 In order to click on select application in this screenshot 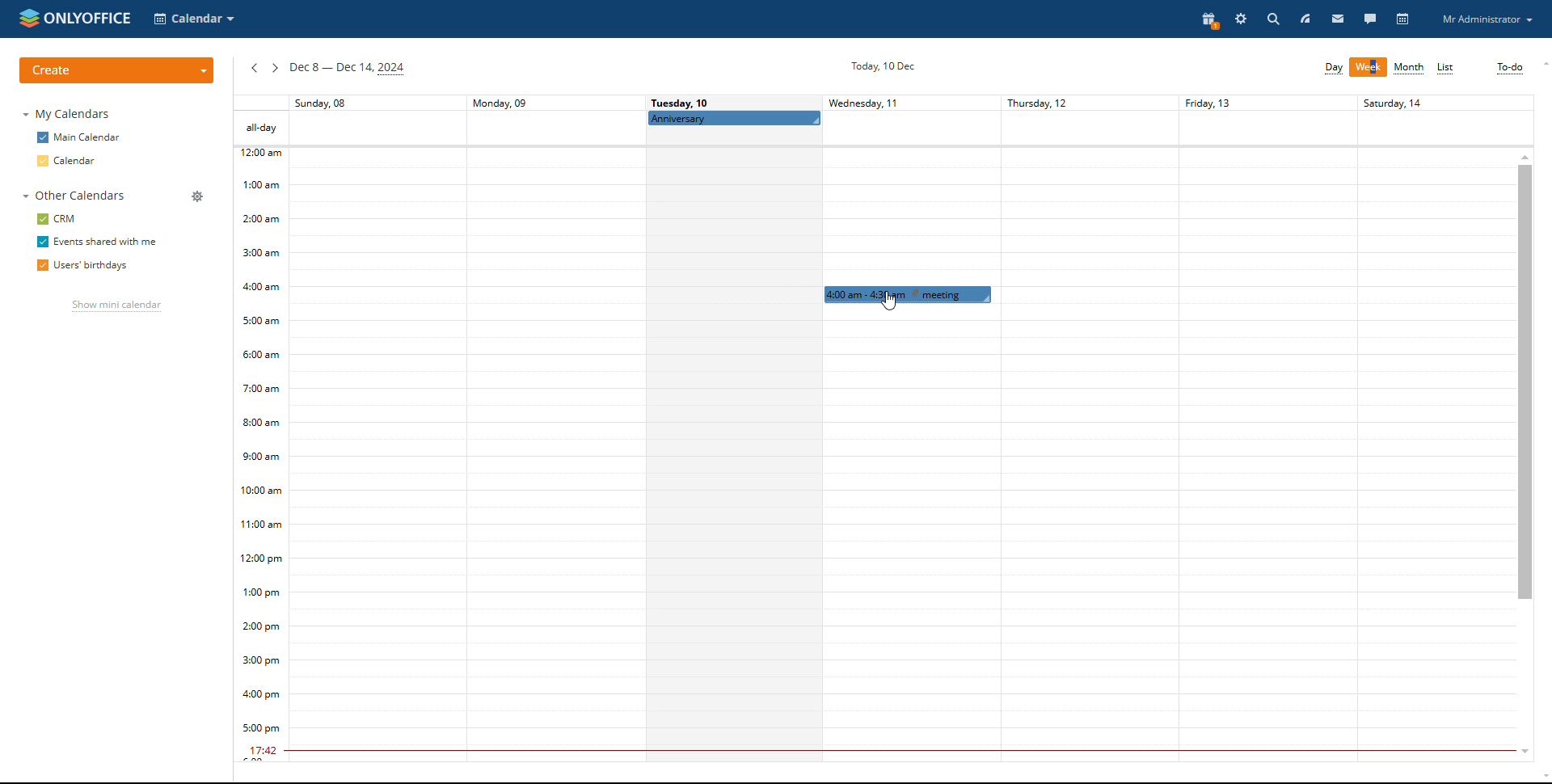, I will do `click(196, 19)`.